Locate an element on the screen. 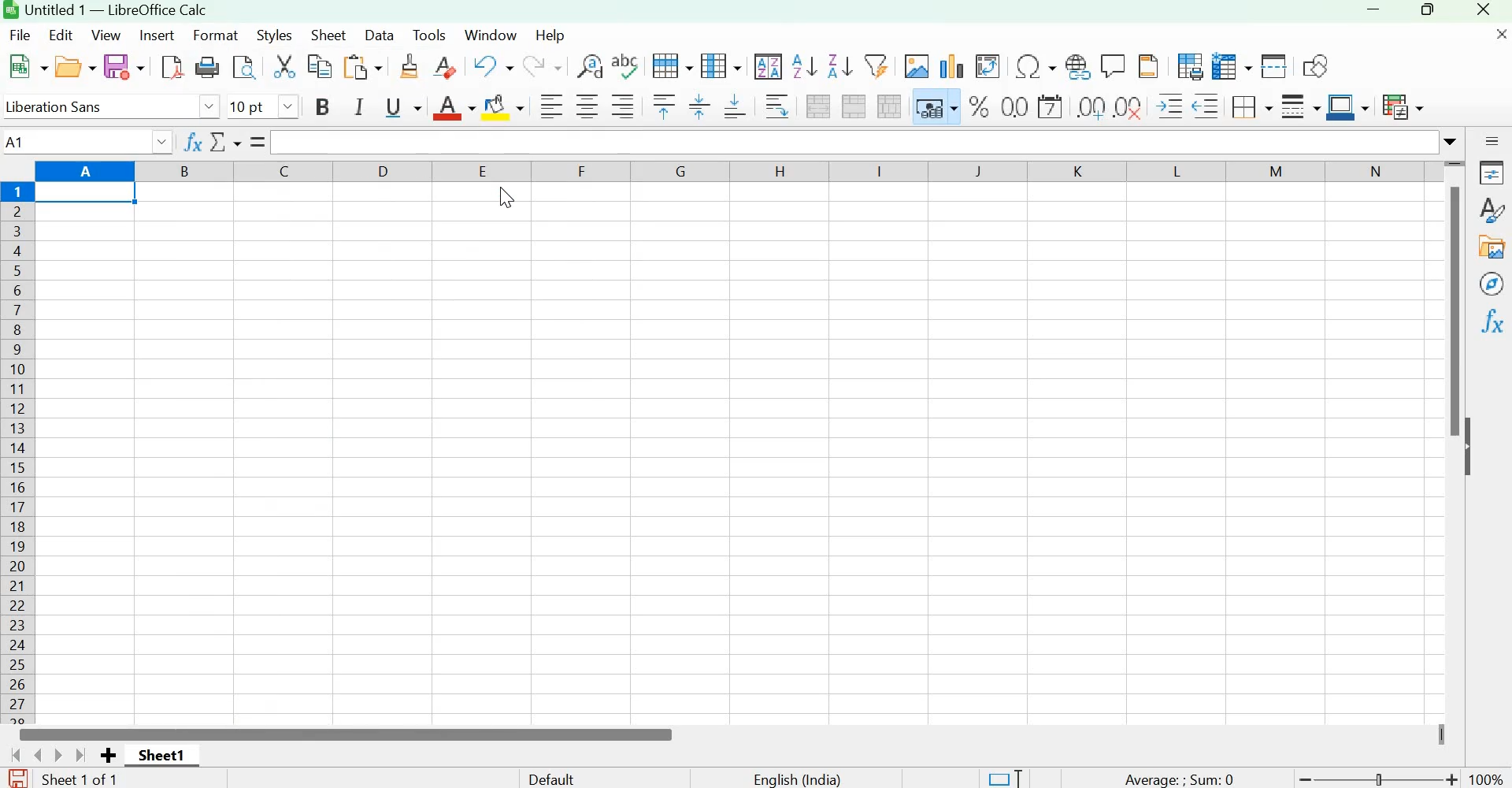 The height and width of the screenshot is (788, 1512). English(India) is located at coordinates (797, 779).